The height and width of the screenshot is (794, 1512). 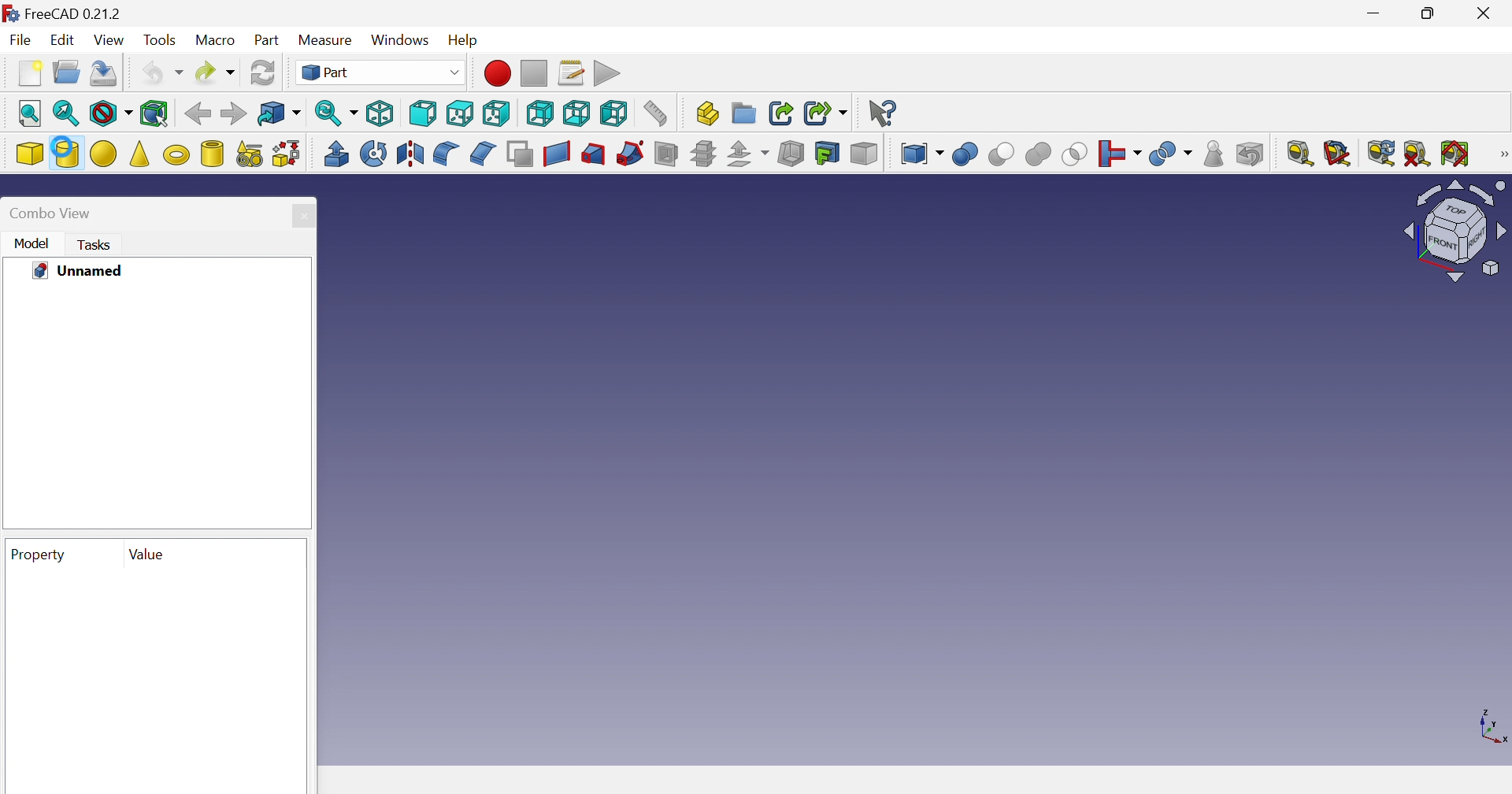 I want to click on Windows, so click(x=402, y=41).